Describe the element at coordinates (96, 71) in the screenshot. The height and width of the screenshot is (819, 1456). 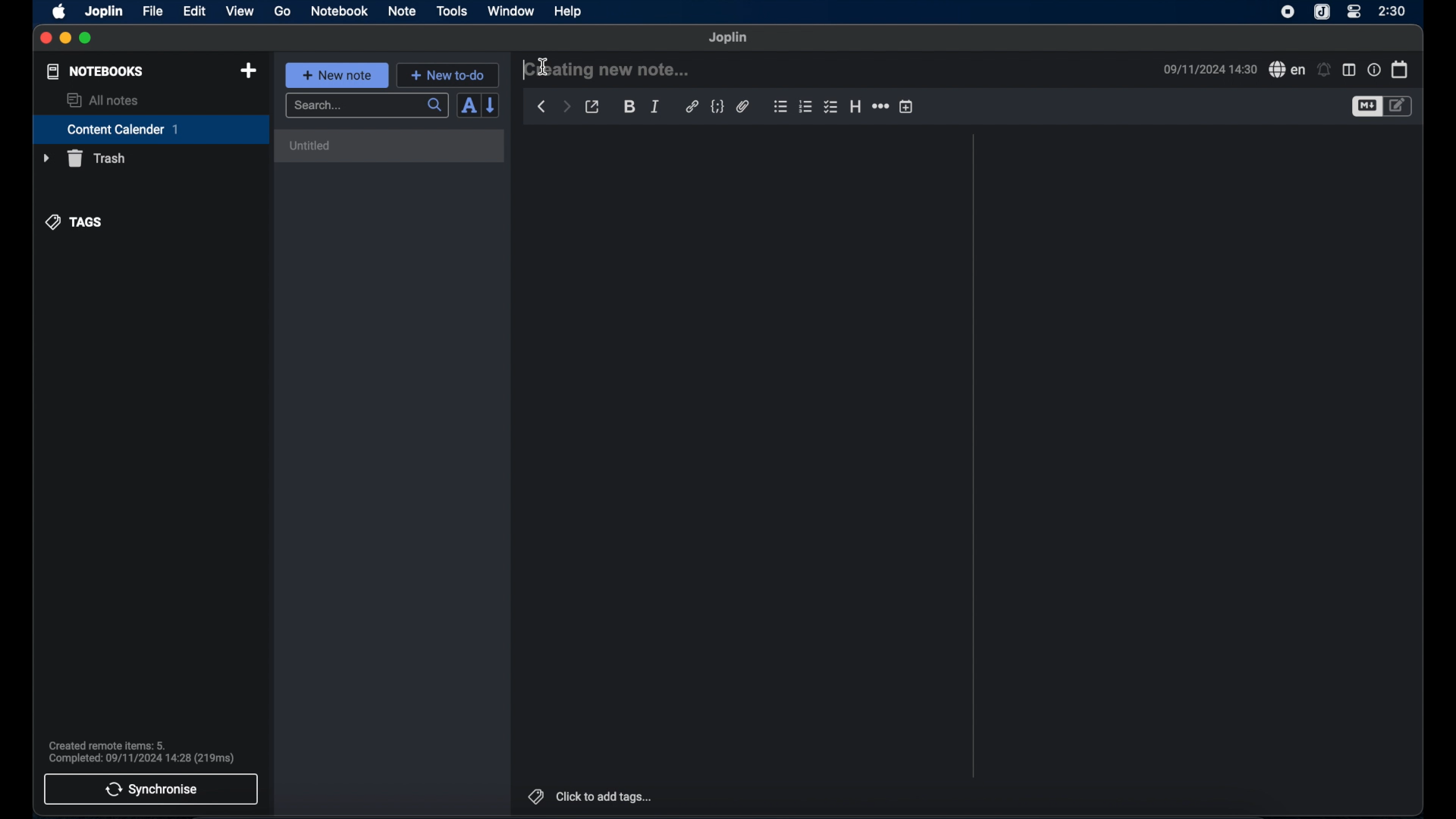
I see `notebooks` at that location.